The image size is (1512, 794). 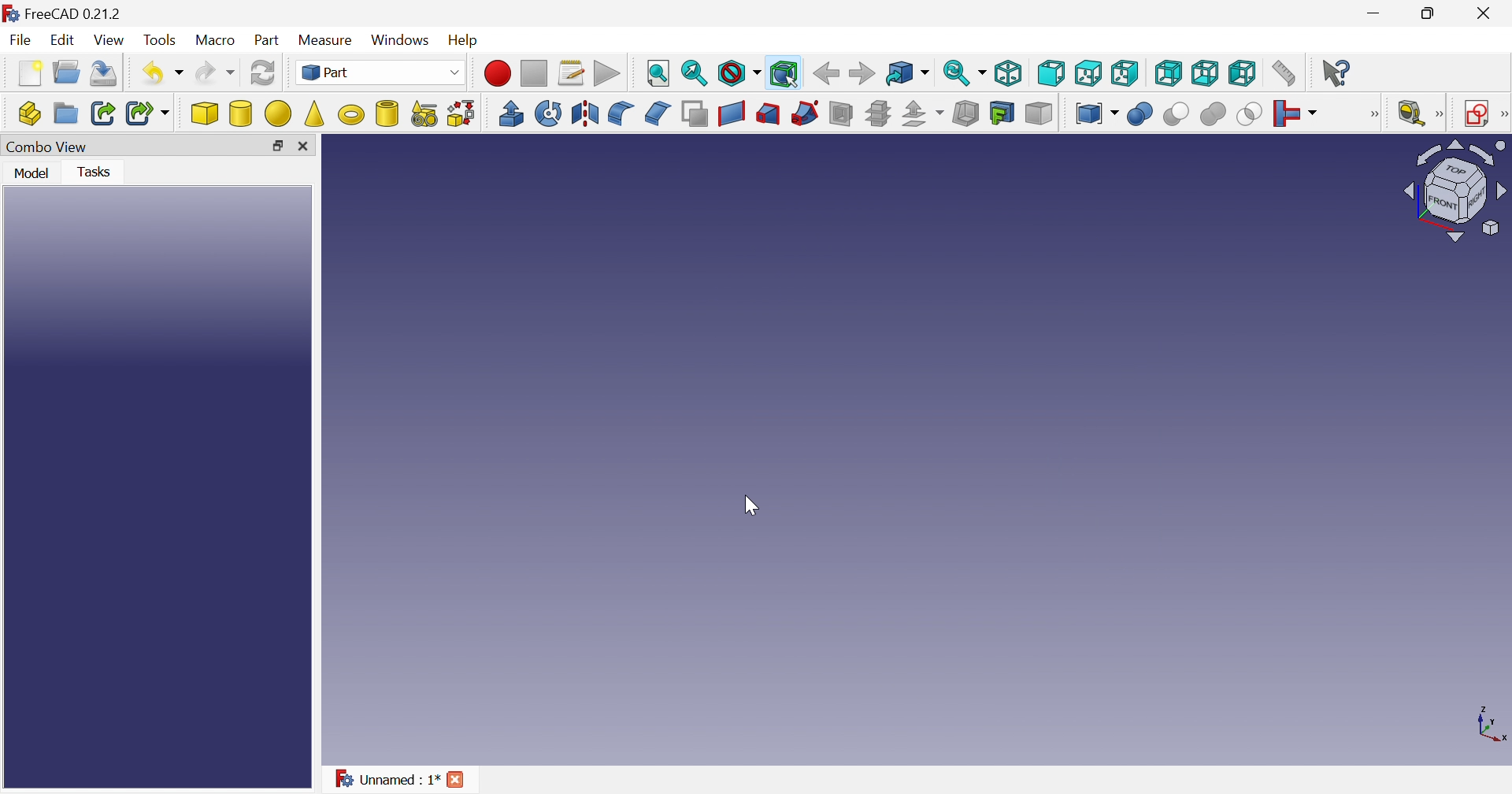 I want to click on Cylinder, so click(x=242, y=113).